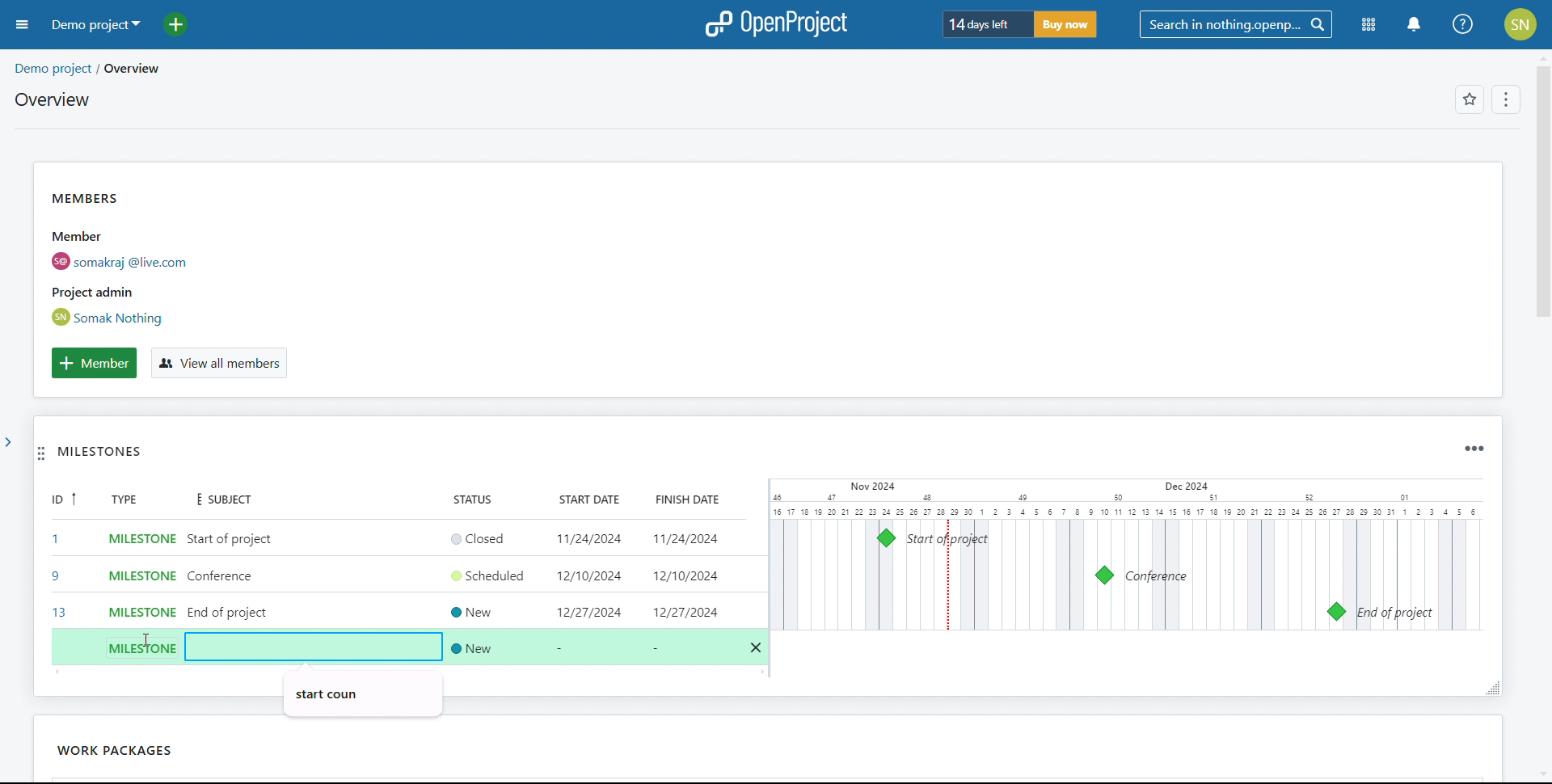 This screenshot has height=784, width=1552. What do you see at coordinates (1540, 213) in the screenshot?
I see `scroll bar` at bounding box center [1540, 213].